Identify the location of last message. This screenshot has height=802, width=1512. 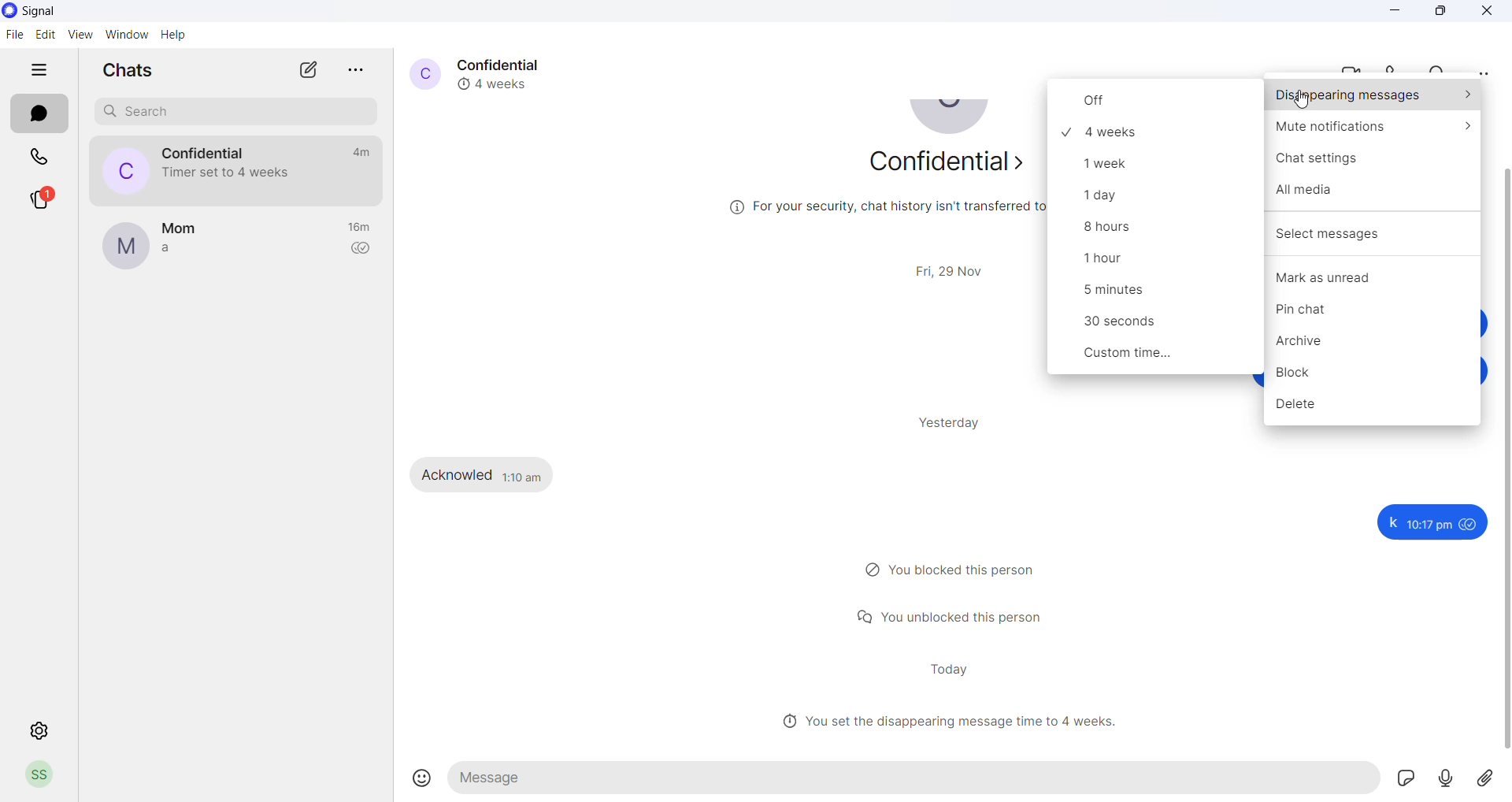
(176, 249).